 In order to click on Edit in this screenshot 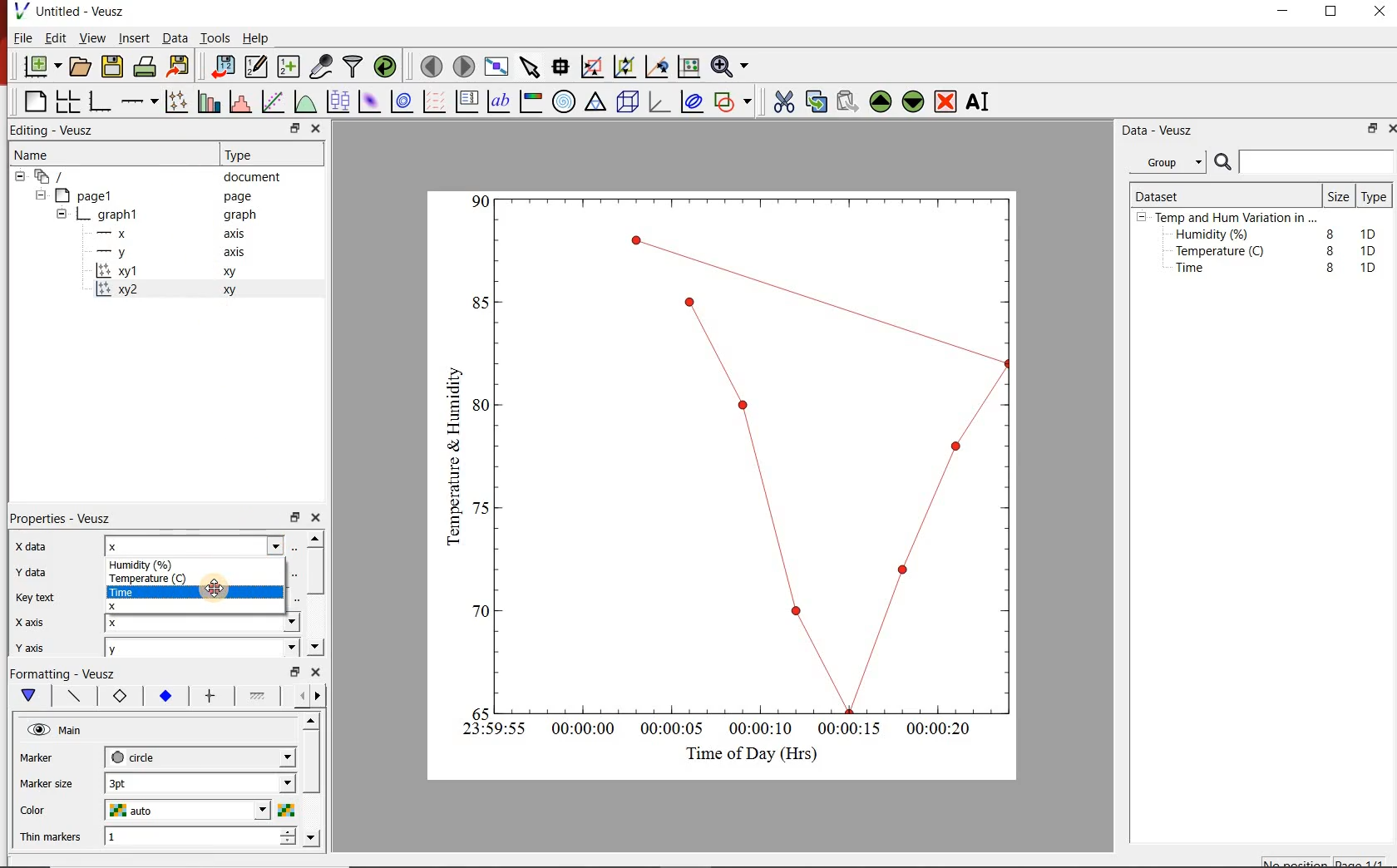, I will do `click(56, 40)`.